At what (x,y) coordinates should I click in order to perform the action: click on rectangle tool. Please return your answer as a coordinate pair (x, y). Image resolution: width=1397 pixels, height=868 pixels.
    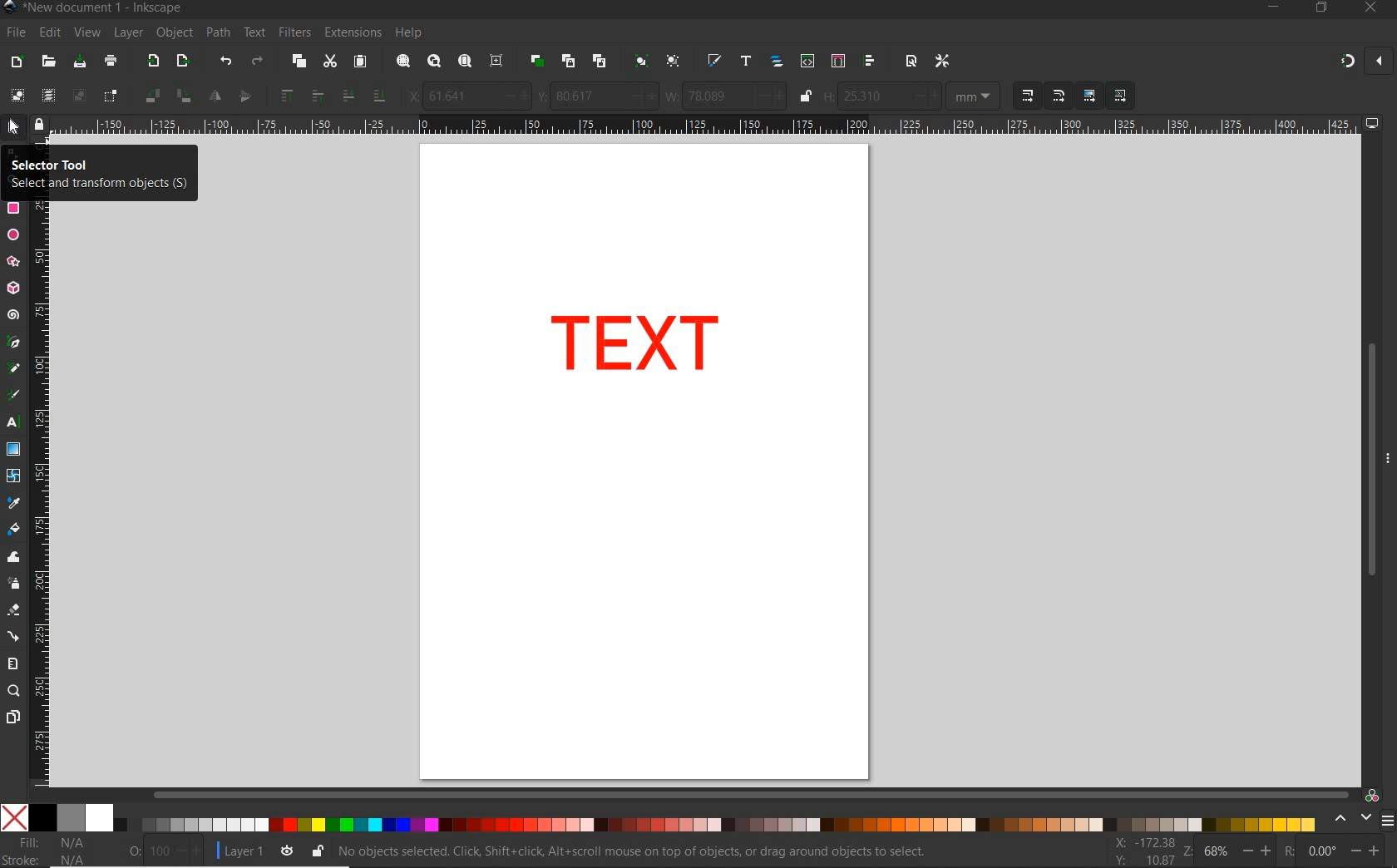
    Looking at the image, I should click on (13, 208).